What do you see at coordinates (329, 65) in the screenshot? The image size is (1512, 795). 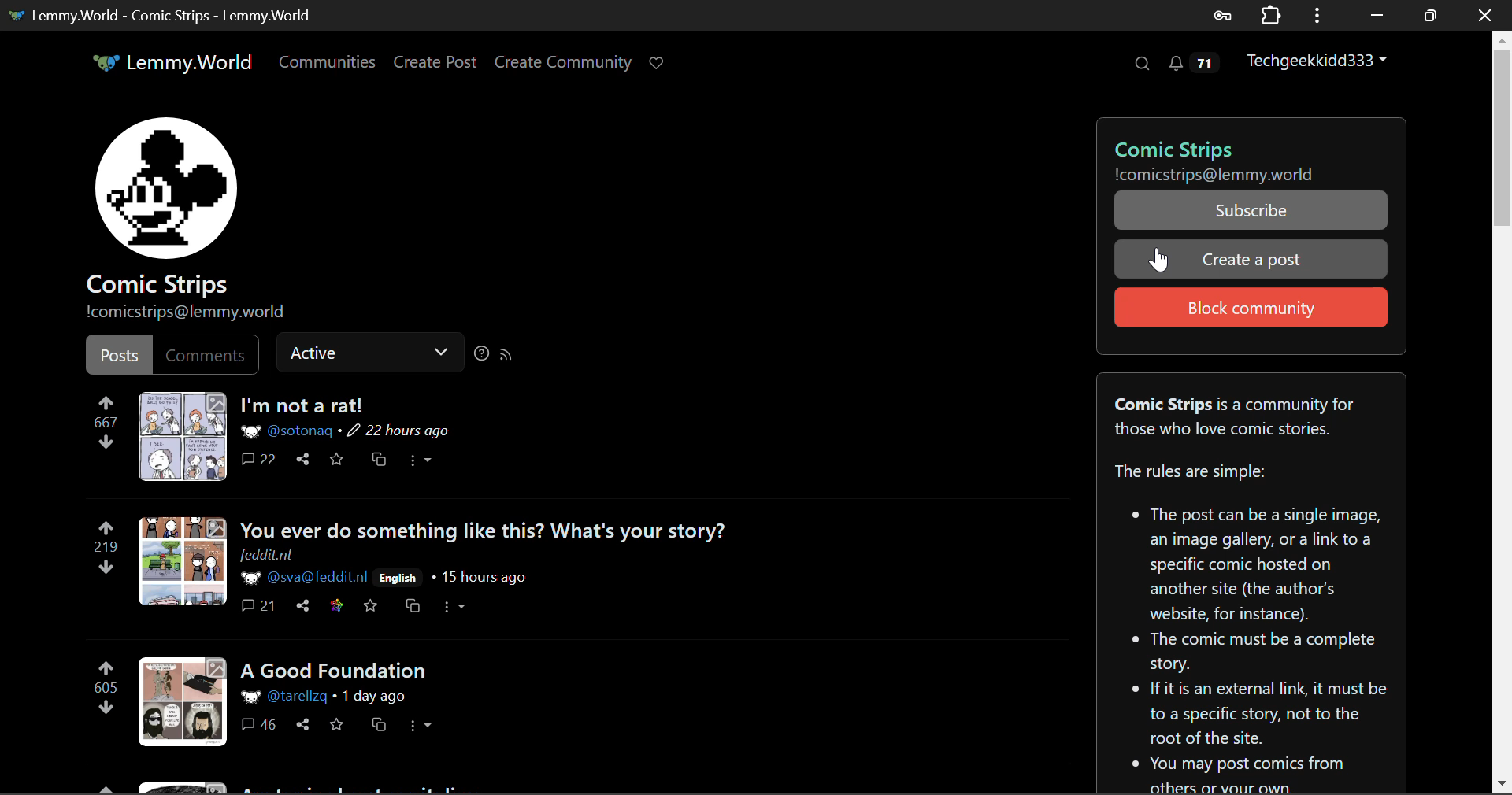 I see `Communities` at bounding box center [329, 65].